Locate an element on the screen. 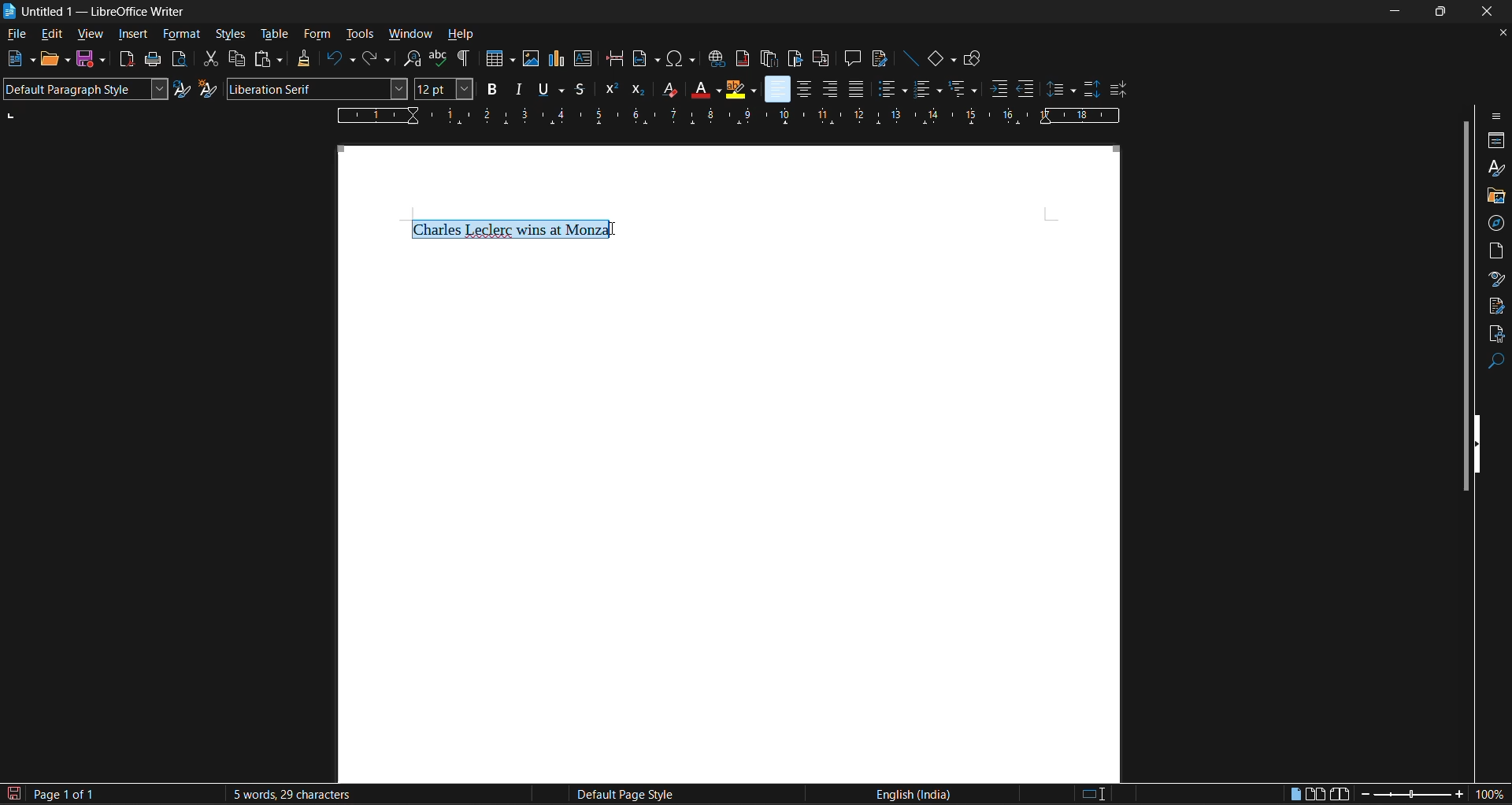  page is located at coordinates (1497, 249).